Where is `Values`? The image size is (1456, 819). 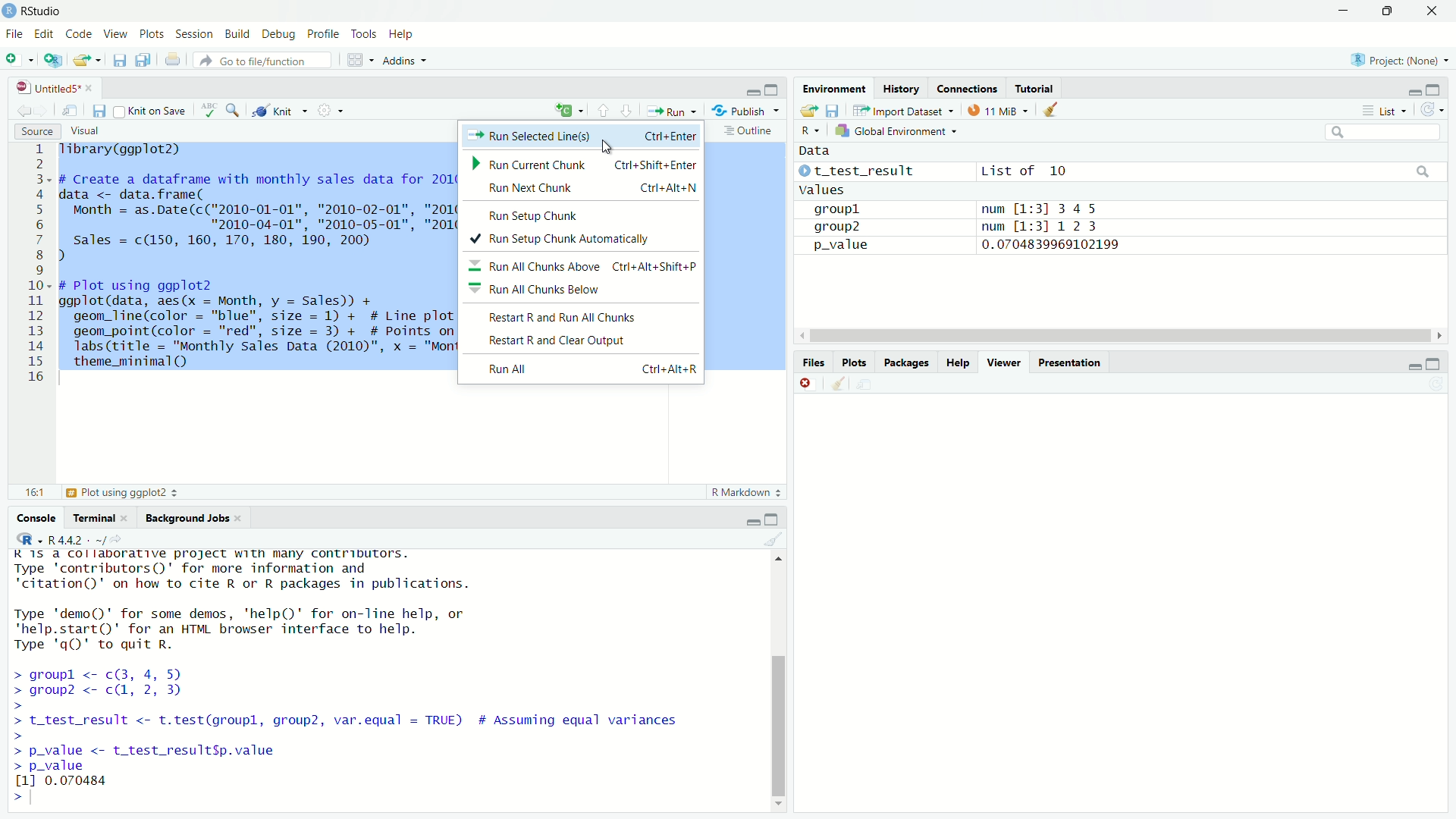
Values is located at coordinates (821, 190).